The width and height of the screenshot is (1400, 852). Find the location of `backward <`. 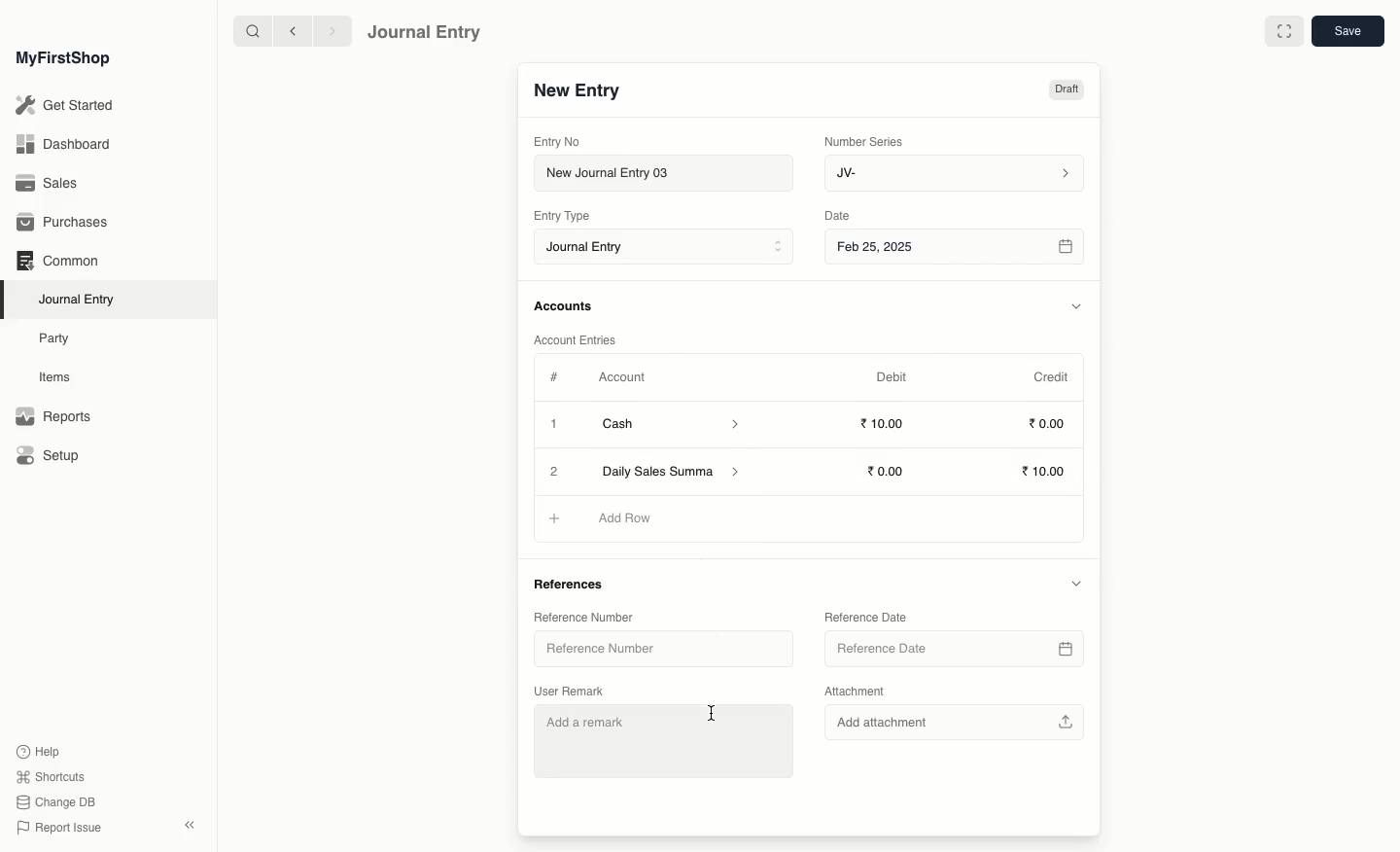

backward < is located at coordinates (288, 31).